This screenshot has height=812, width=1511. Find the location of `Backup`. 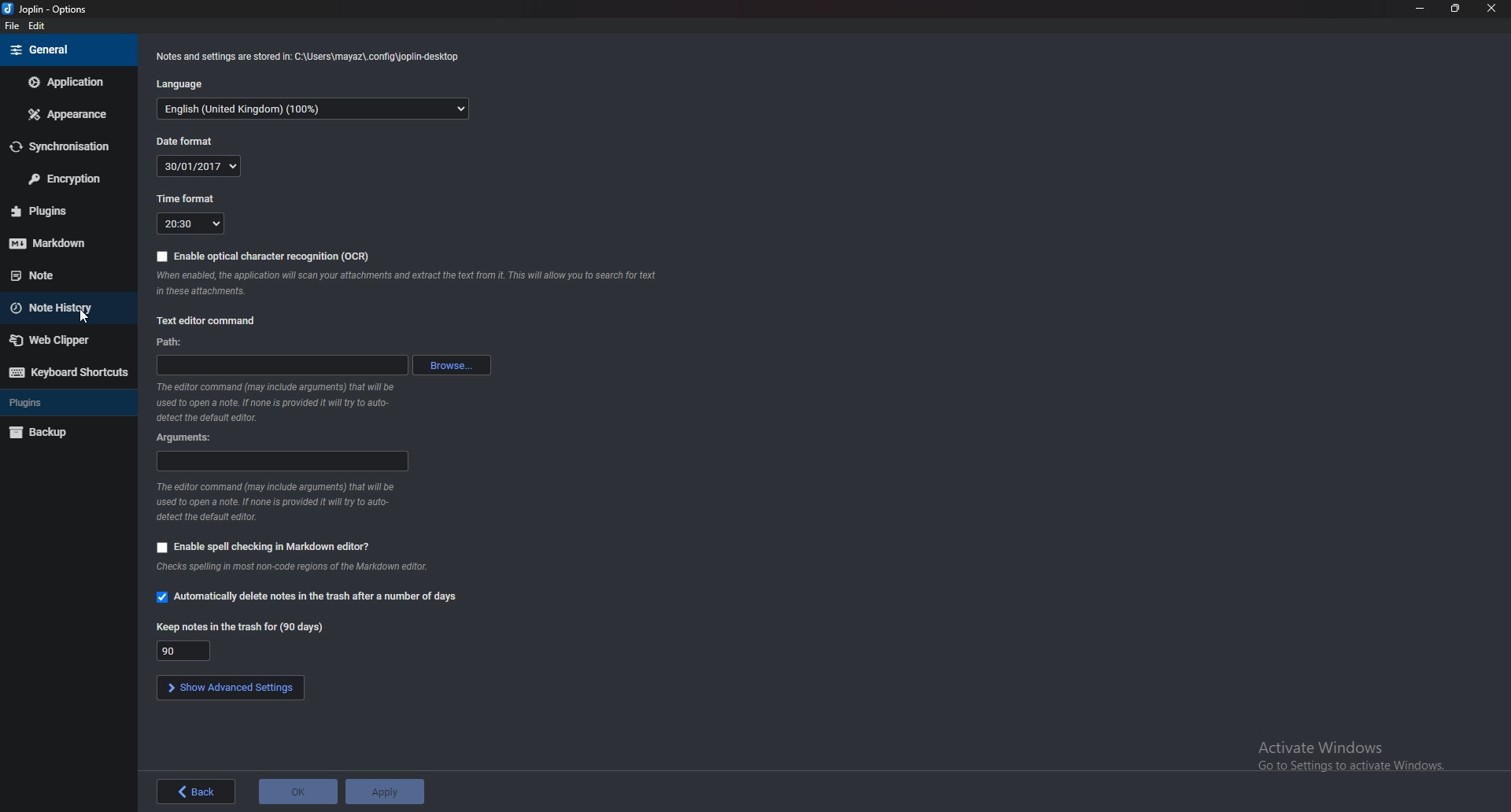

Backup is located at coordinates (63, 432).